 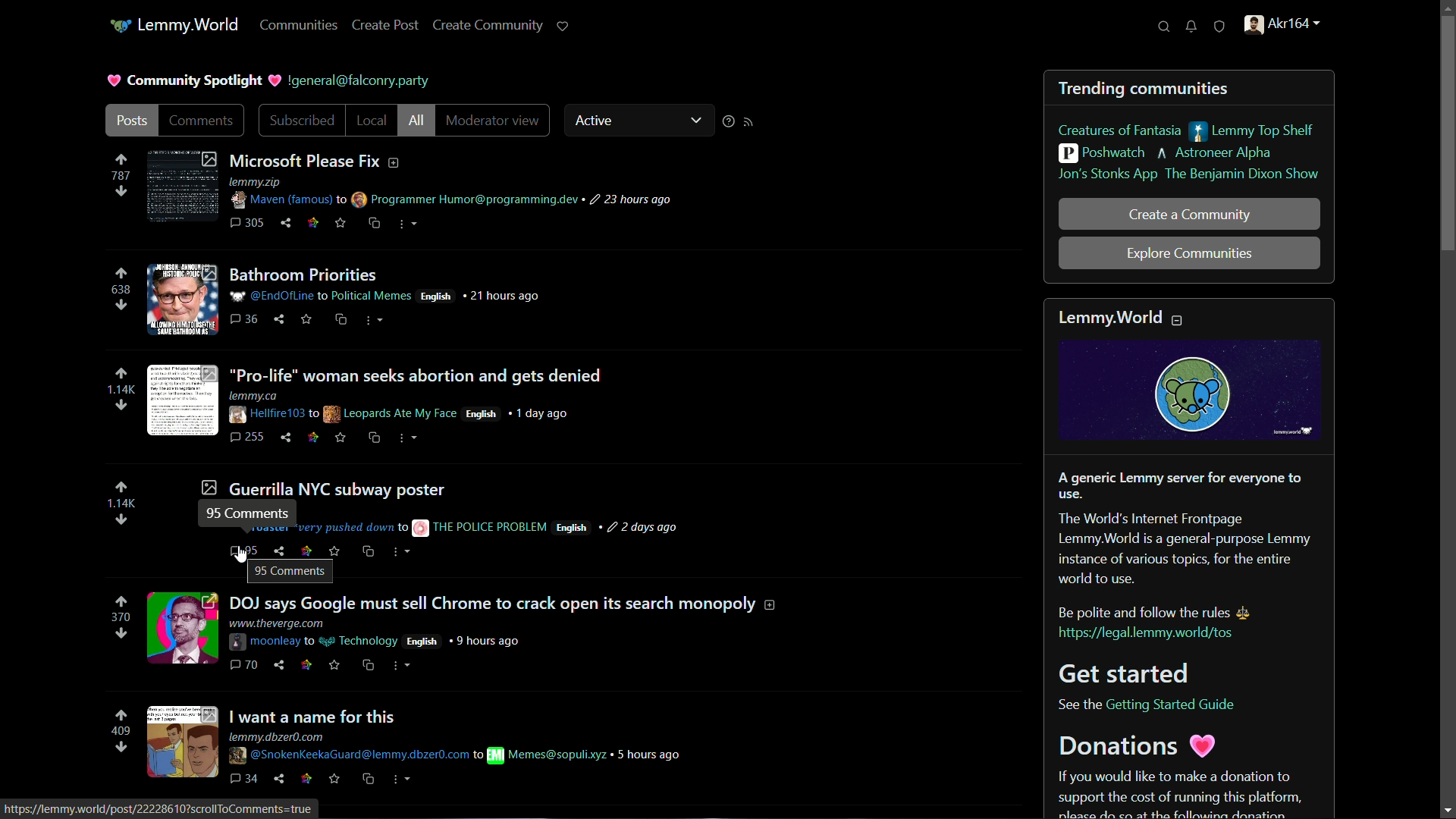 What do you see at coordinates (1131, 673) in the screenshot?
I see `Get started` at bounding box center [1131, 673].